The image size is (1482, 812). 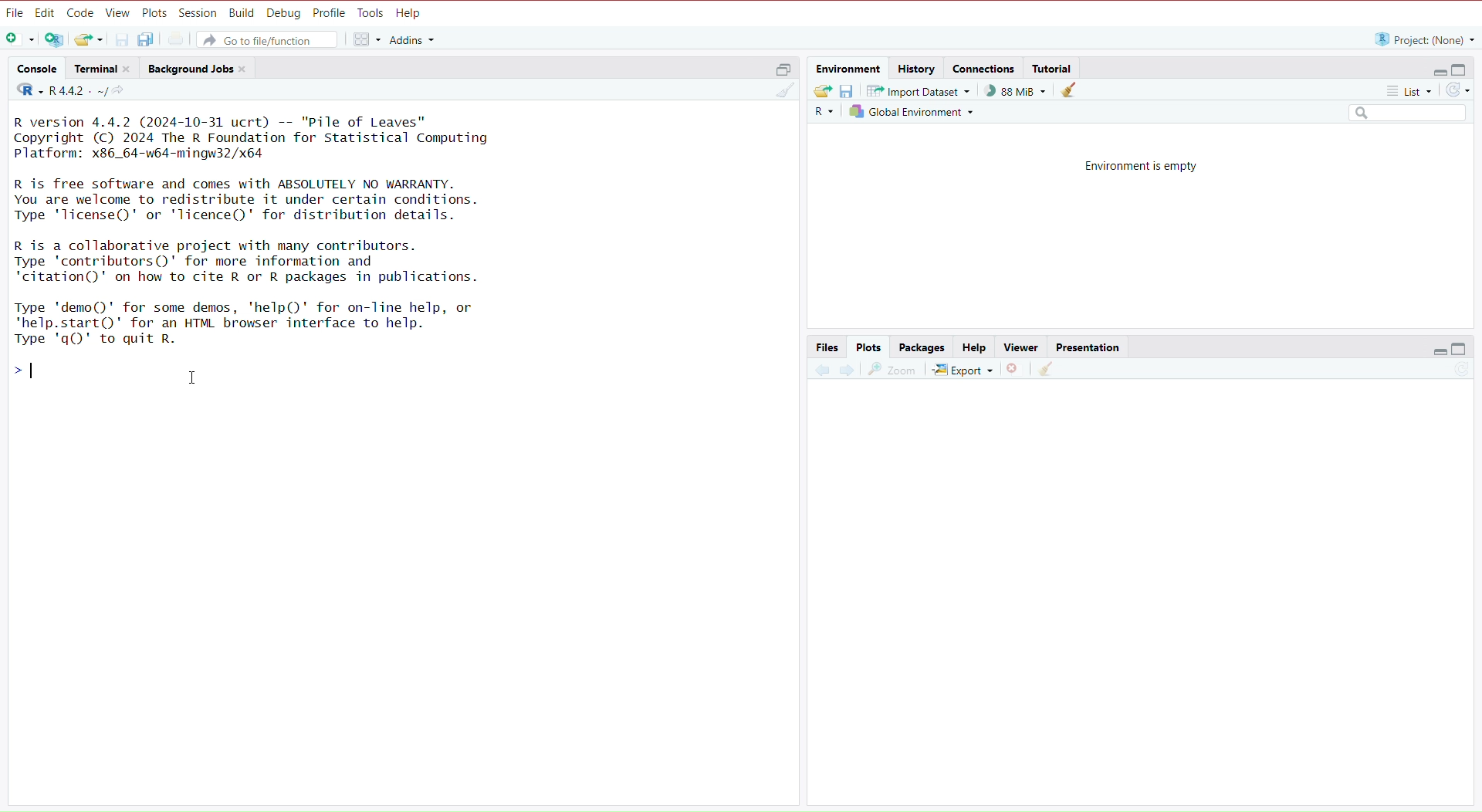 What do you see at coordinates (373, 12) in the screenshot?
I see `Tools` at bounding box center [373, 12].